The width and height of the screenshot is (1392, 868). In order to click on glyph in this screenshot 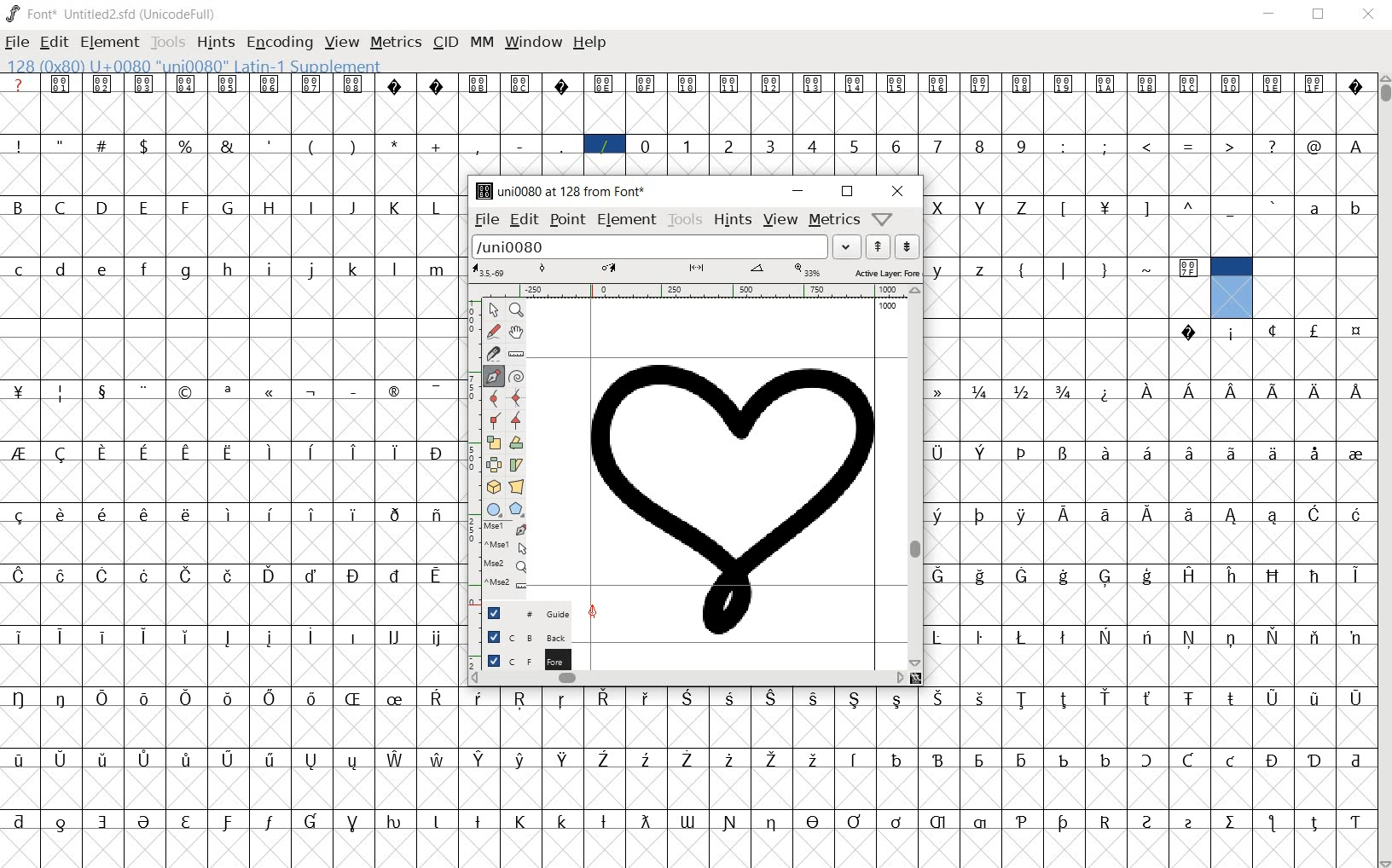, I will do `click(1357, 211)`.